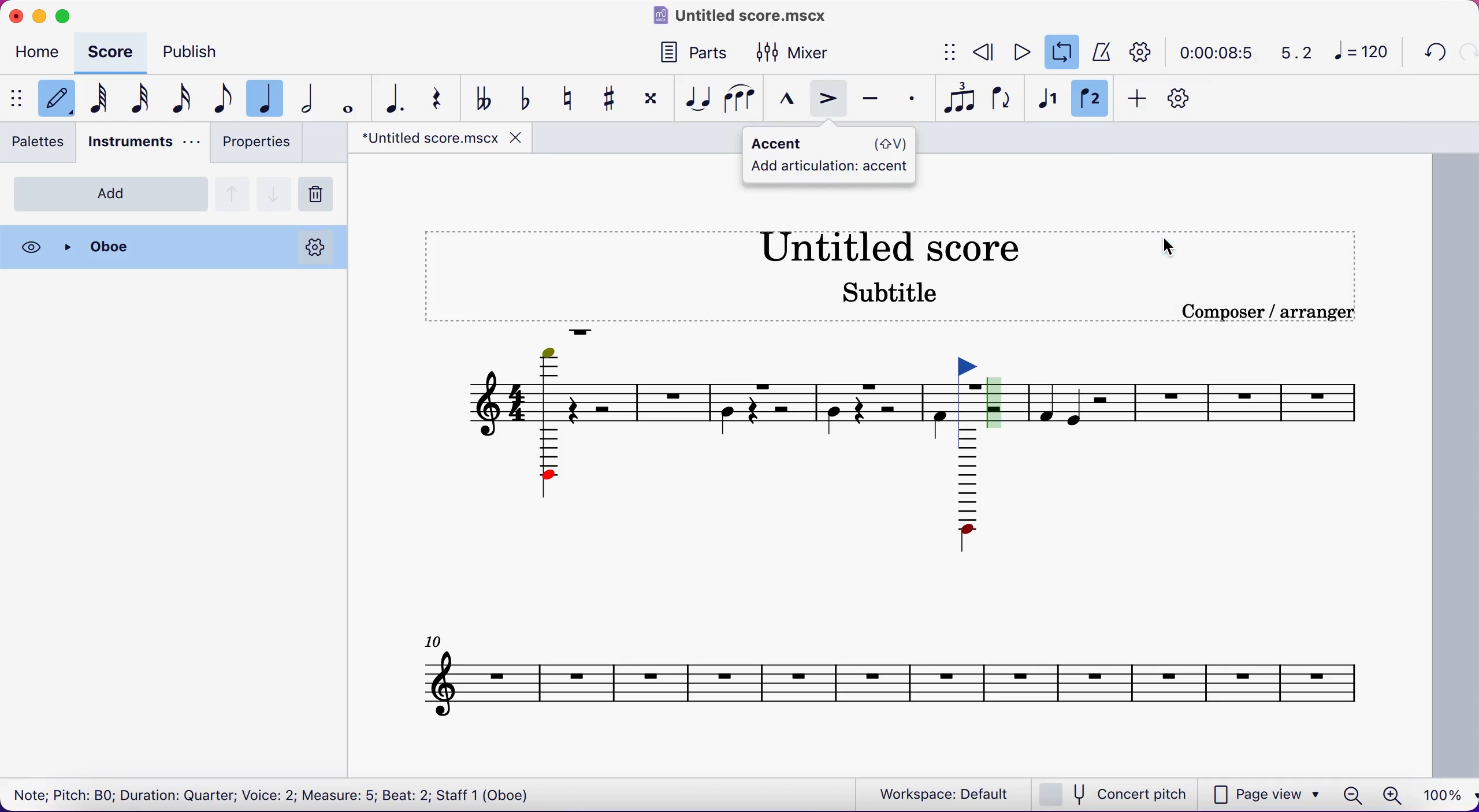 This screenshot has width=1479, height=812. What do you see at coordinates (1214, 52) in the screenshot?
I see `time` at bounding box center [1214, 52].